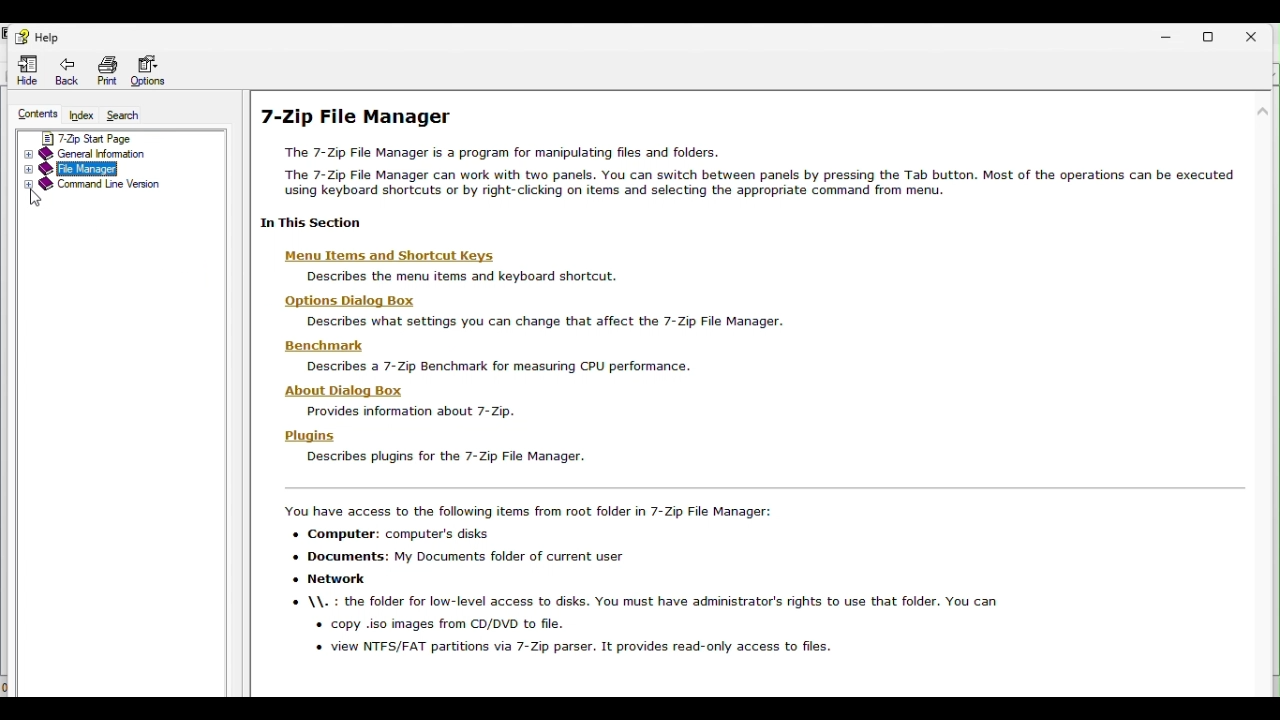  Describe the element at coordinates (153, 73) in the screenshot. I see `Options` at that location.